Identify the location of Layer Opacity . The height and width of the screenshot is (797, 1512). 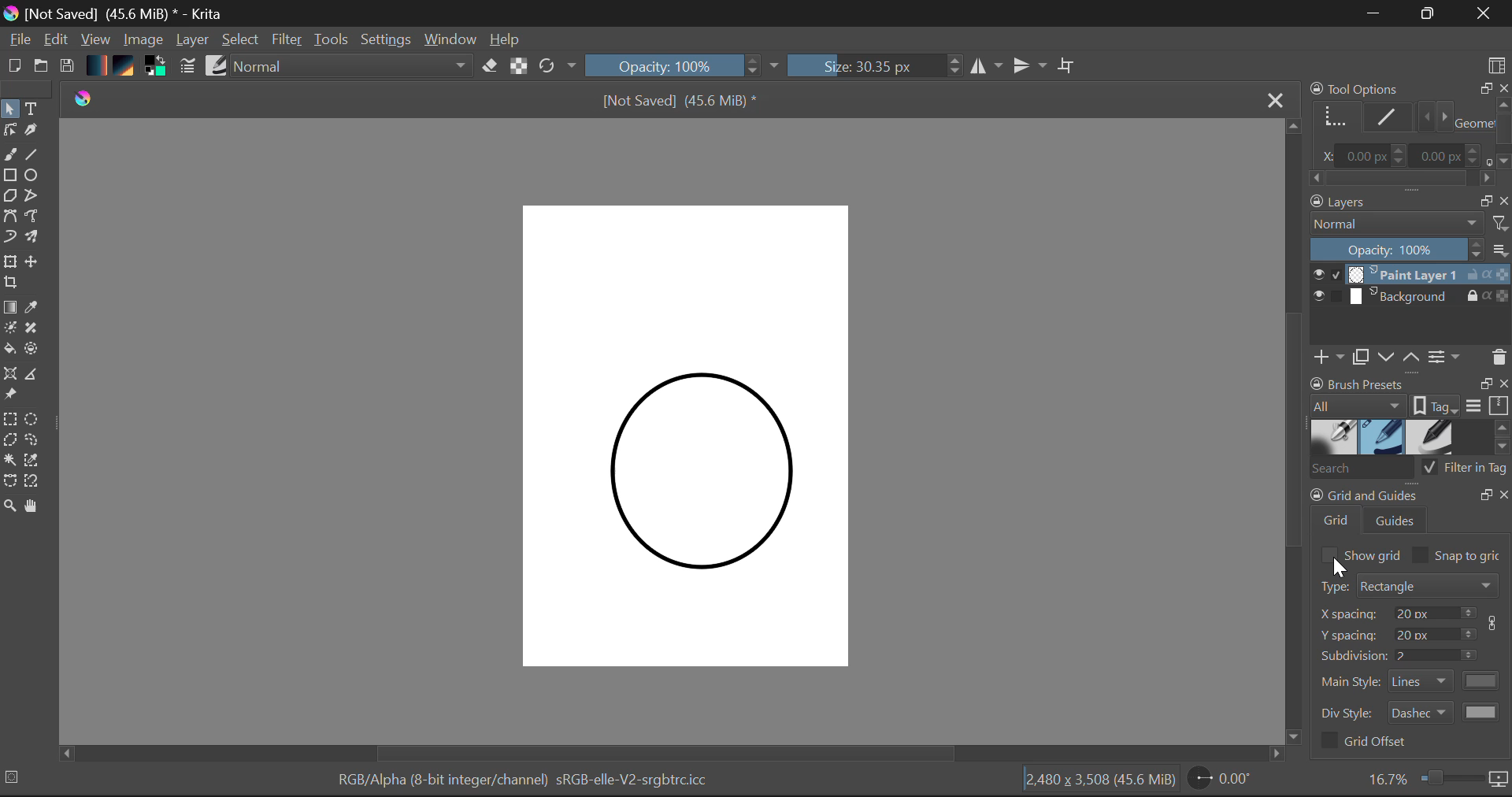
(1410, 250).